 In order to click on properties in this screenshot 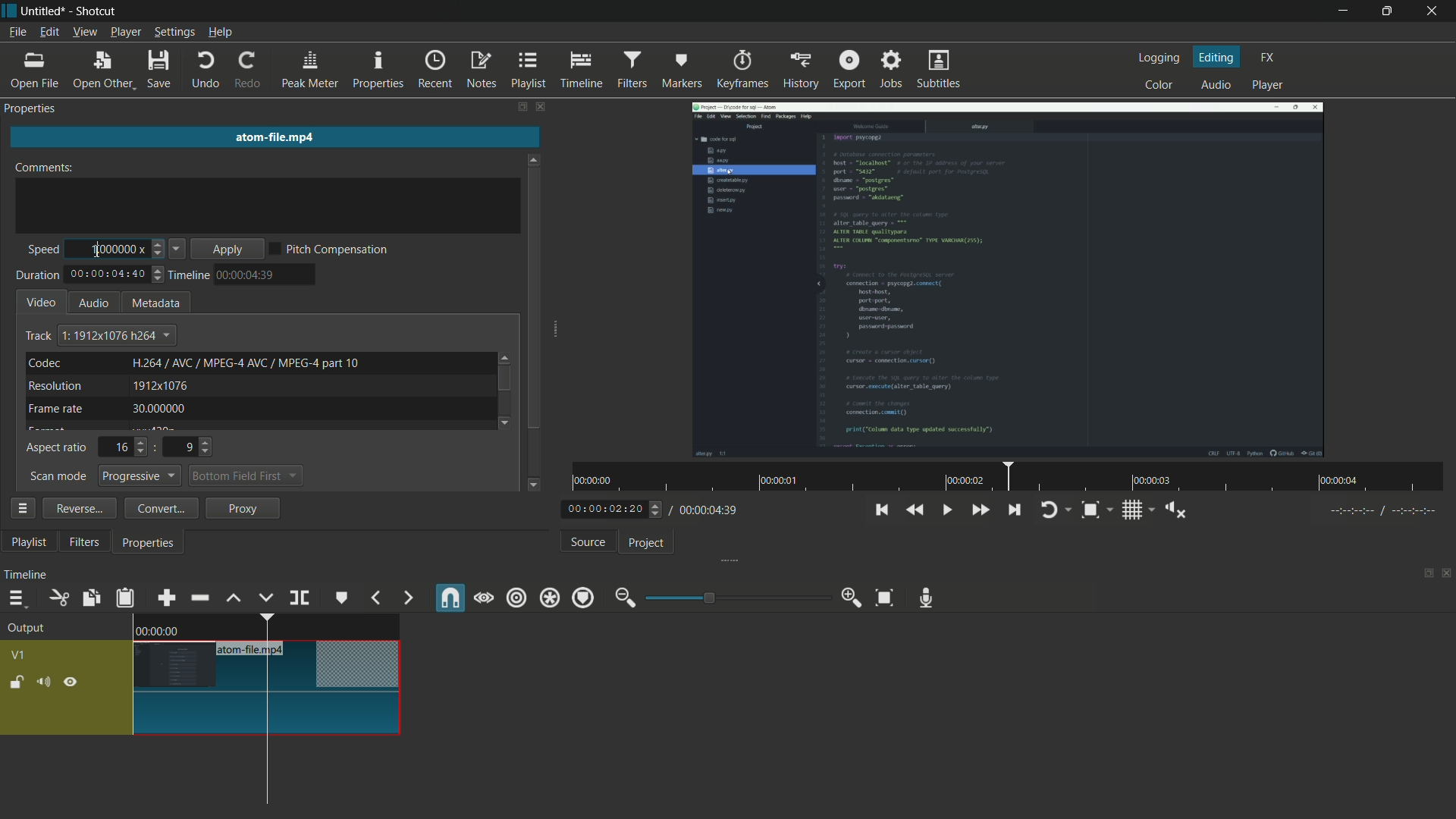, I will do `click(151, 542)`.